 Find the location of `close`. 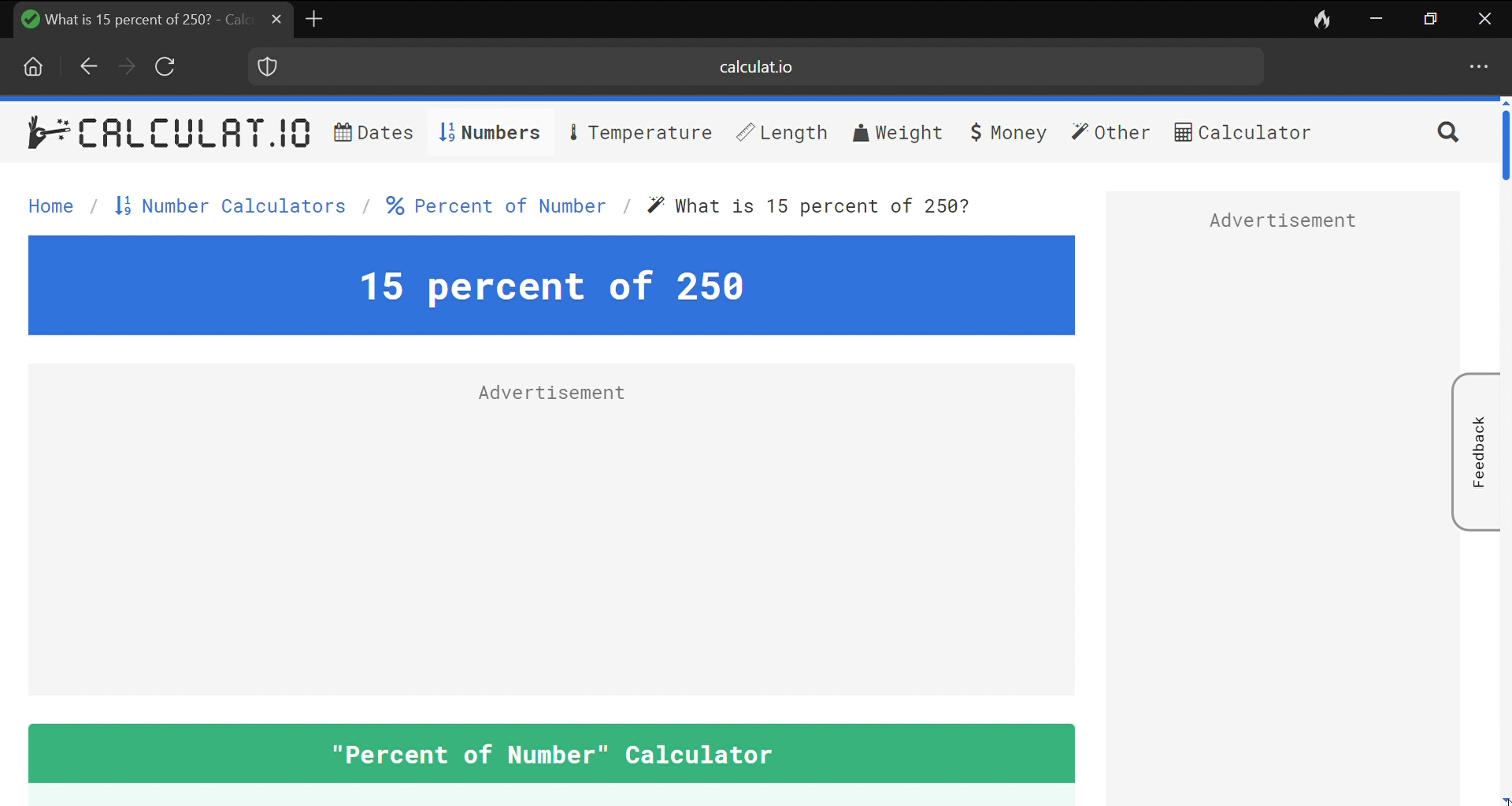

close is located at coordinates (1482, 18).